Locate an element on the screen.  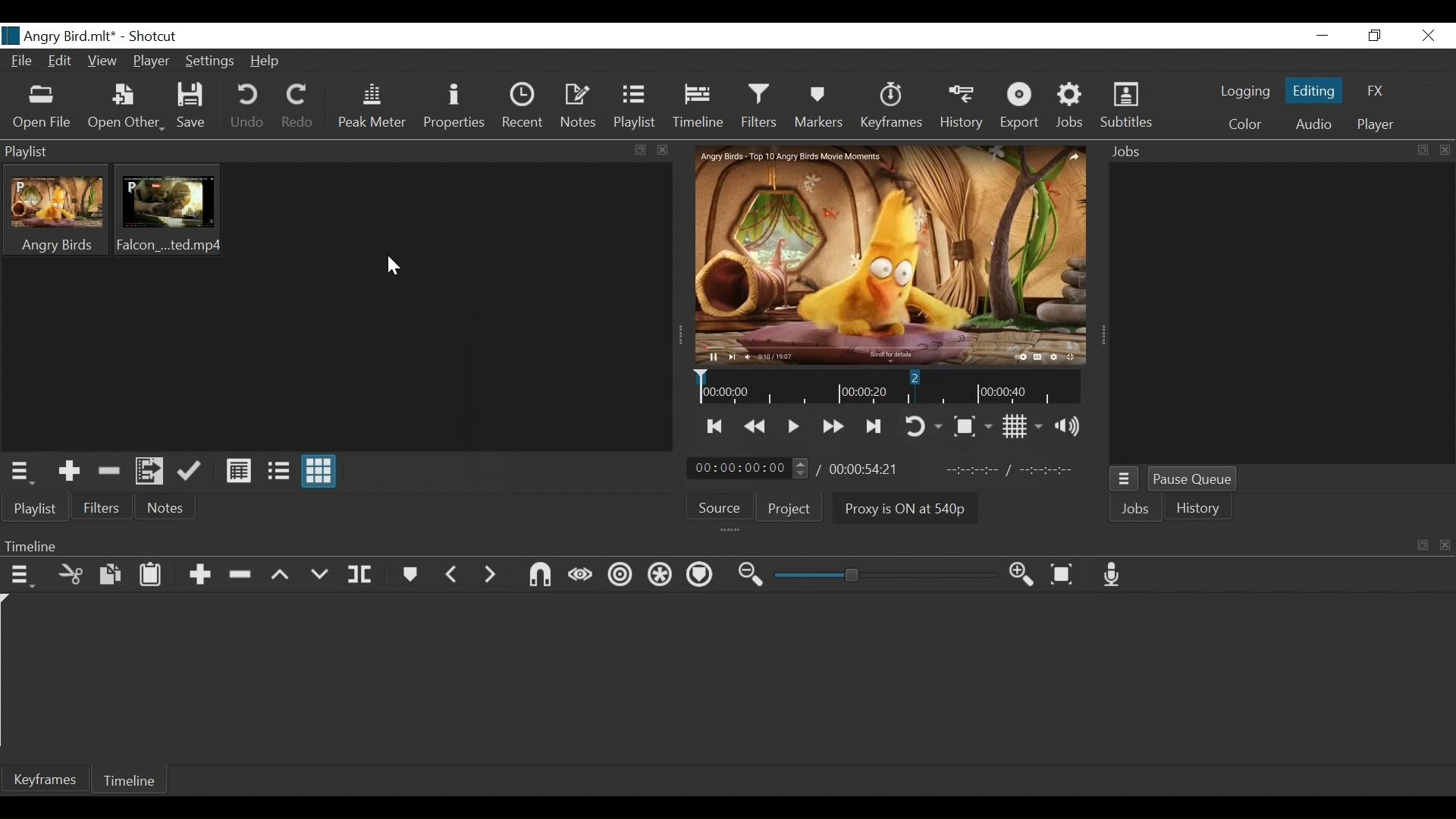
Recent is located at coordinates (525, 106).